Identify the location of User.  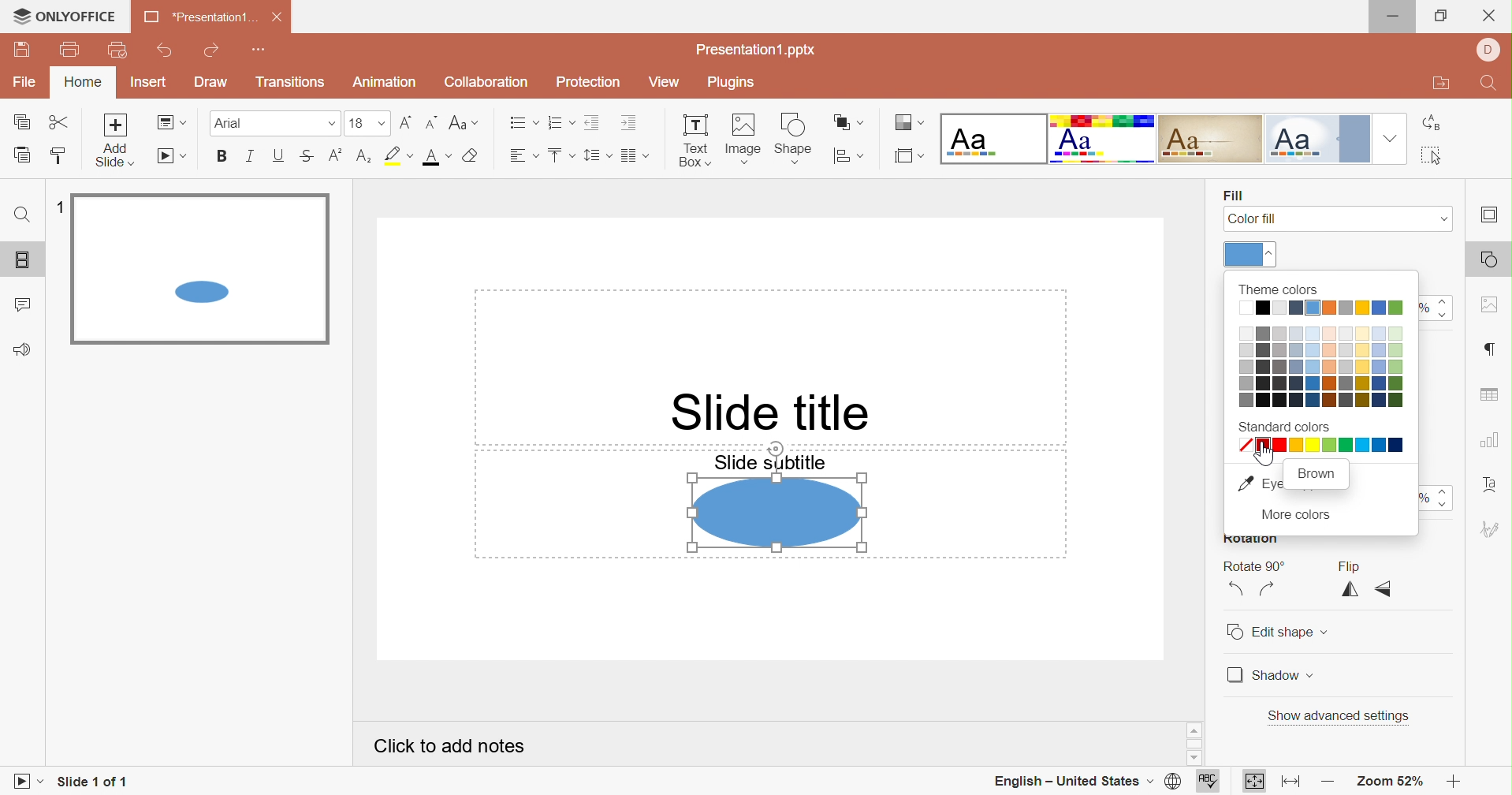
(1487, 50).